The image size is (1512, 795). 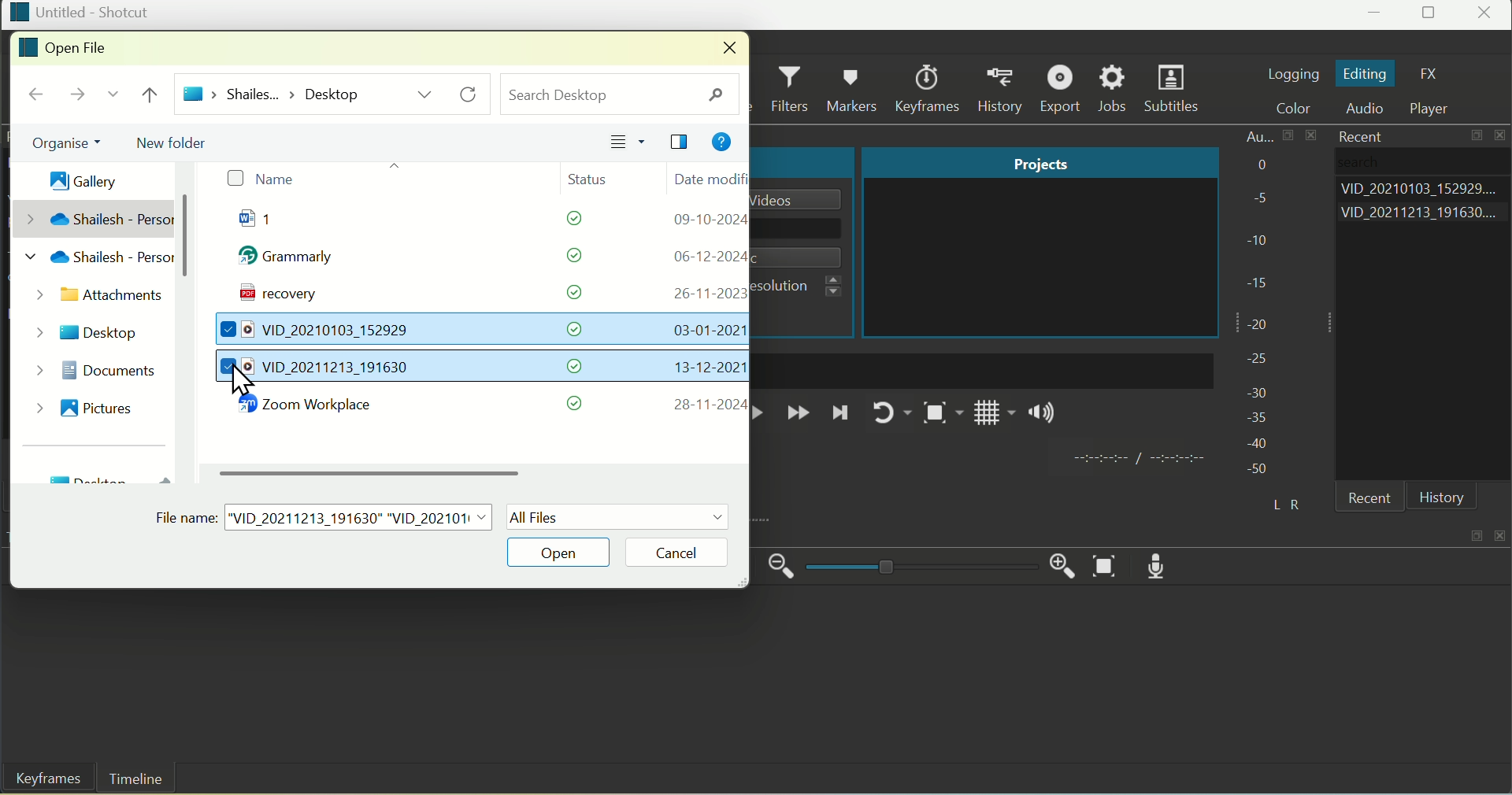 What do you see at coordinates (689, 552) in the screenshot?
I see `Cancel` at bounding box center [689, 552].